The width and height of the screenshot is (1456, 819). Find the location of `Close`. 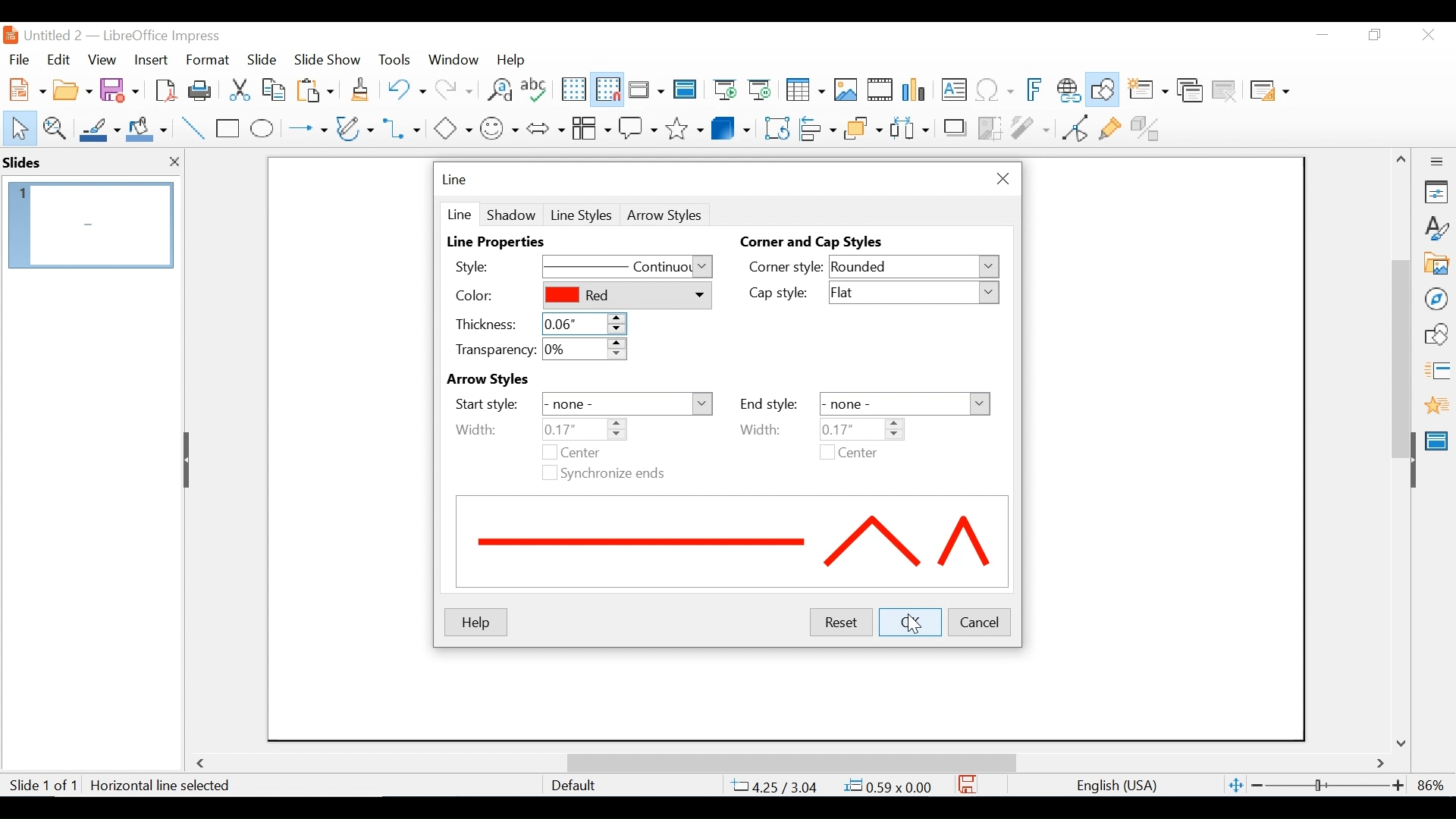

Close is located at coordinates (1000, 179).